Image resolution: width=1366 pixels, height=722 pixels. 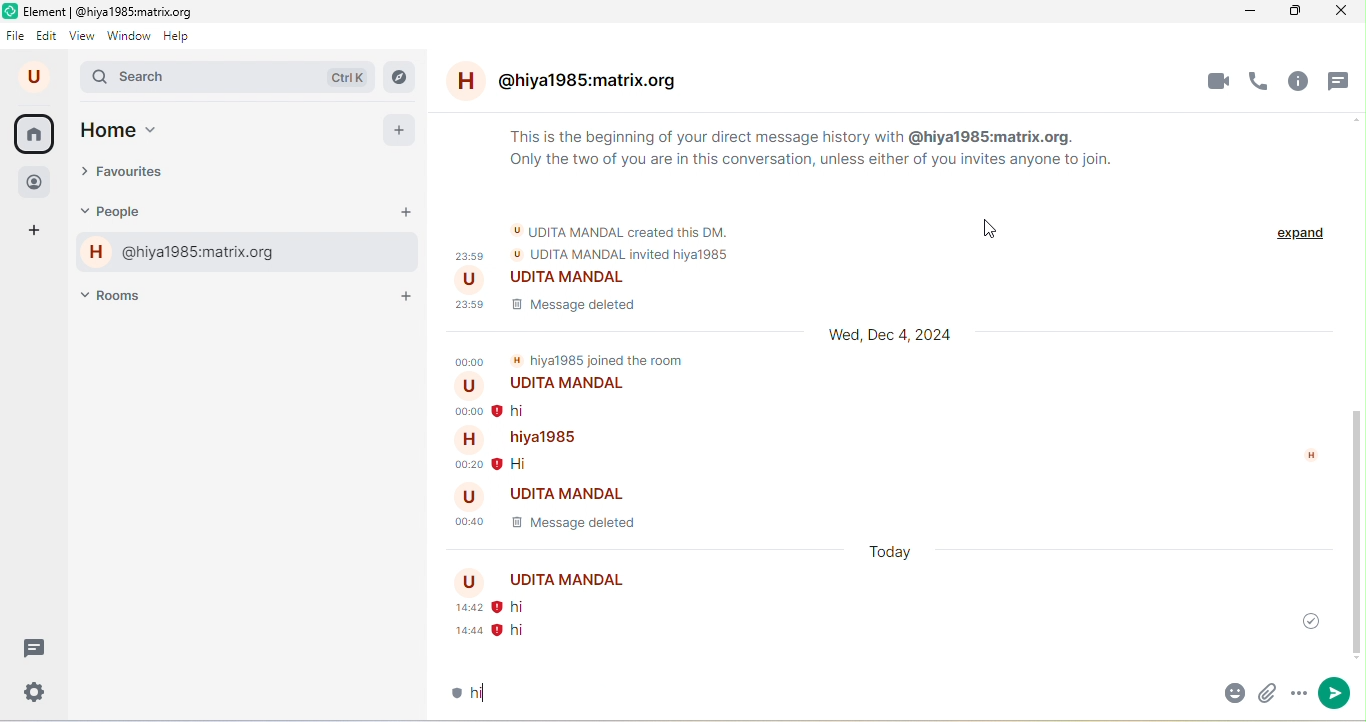 What do you see at coordinates (544, 582) in the screenshot?
I see `udita mandal` at bounding box center [544, 582].